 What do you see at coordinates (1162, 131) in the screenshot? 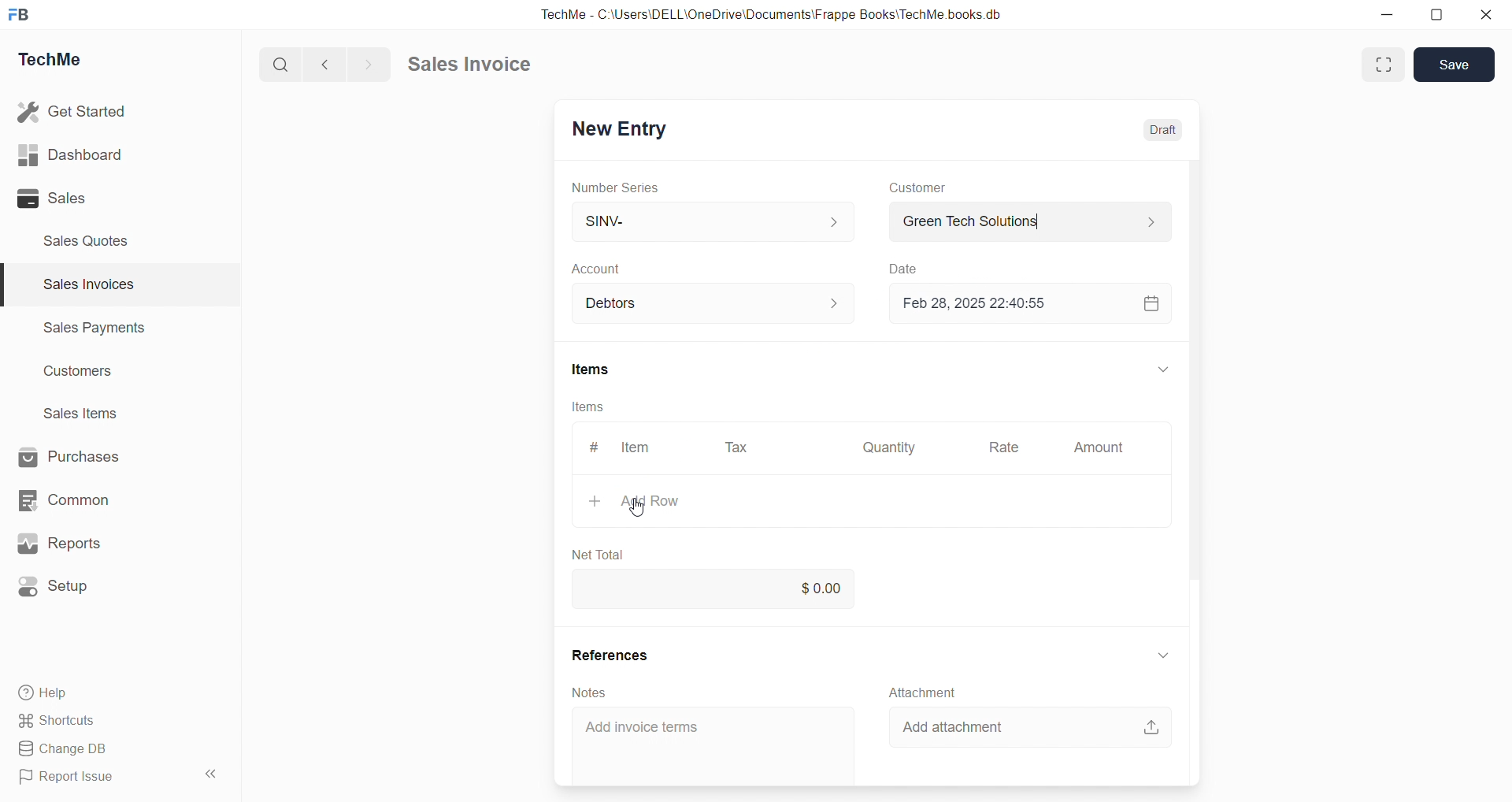
I see `Draft` at bounding box center [1162, 131].